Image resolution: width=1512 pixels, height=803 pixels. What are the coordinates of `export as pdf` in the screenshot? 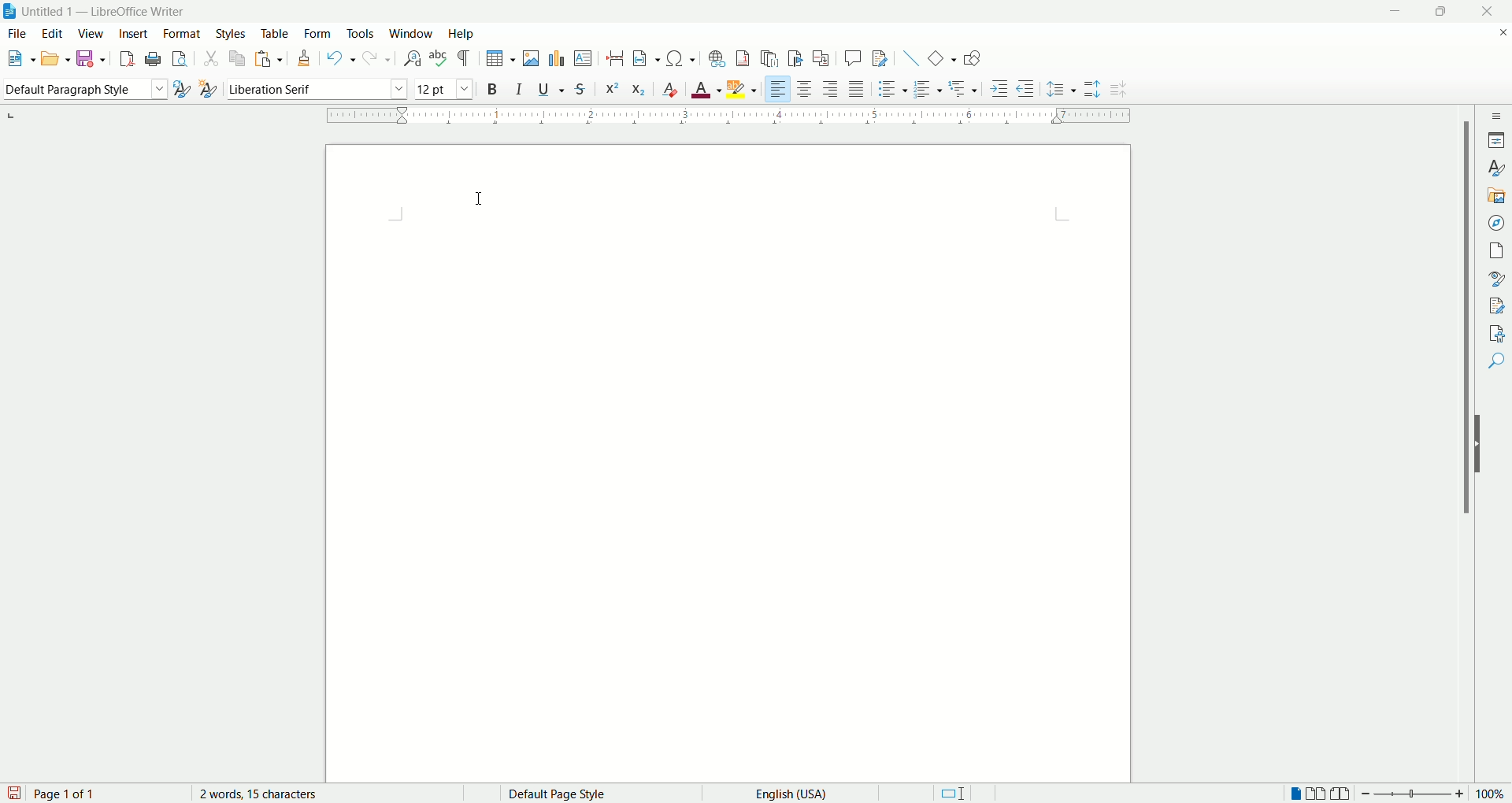 It's located at (124, 59).